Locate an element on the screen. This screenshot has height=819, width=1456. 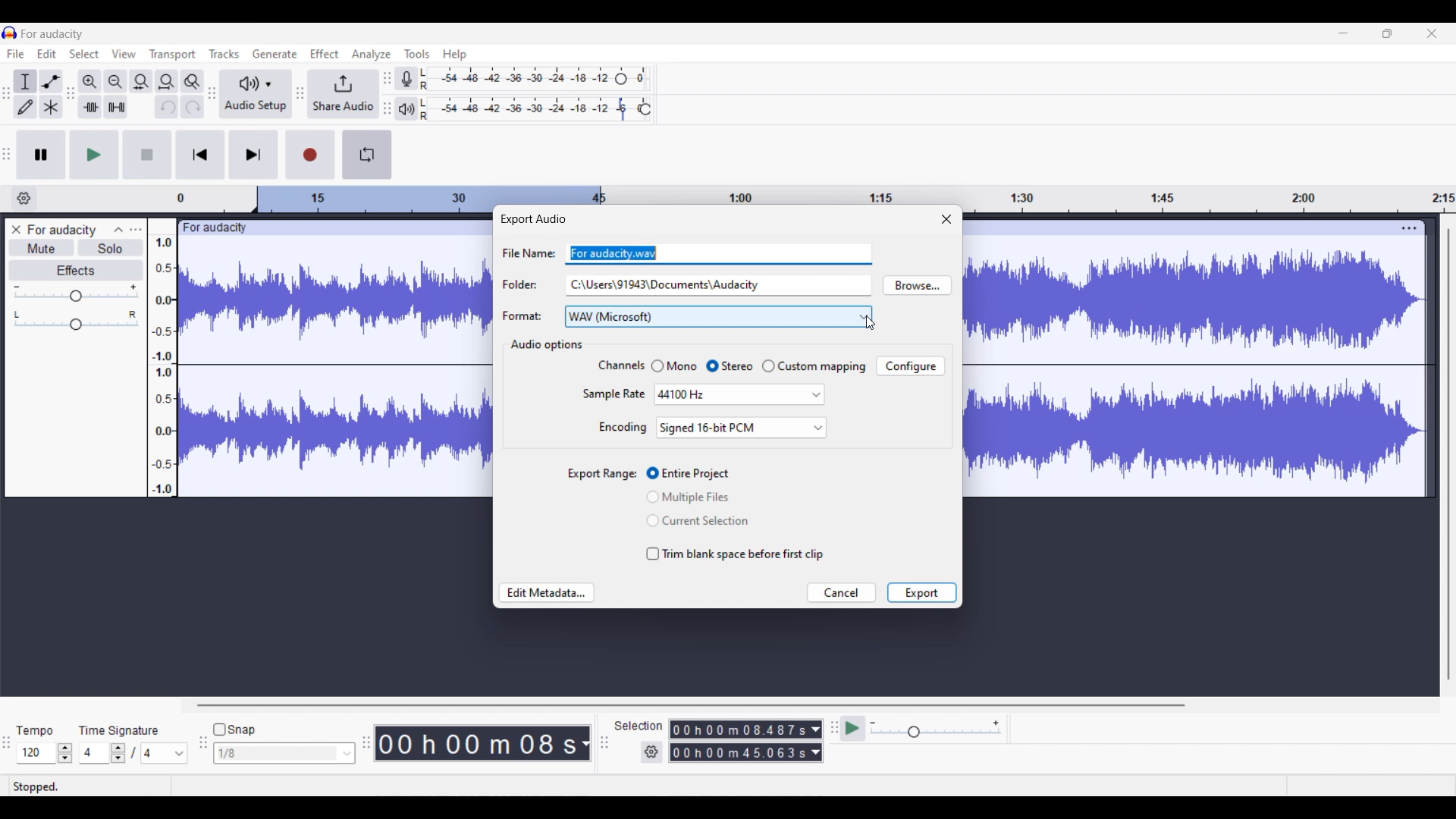
Playback level is located at coordinates (526, 109).